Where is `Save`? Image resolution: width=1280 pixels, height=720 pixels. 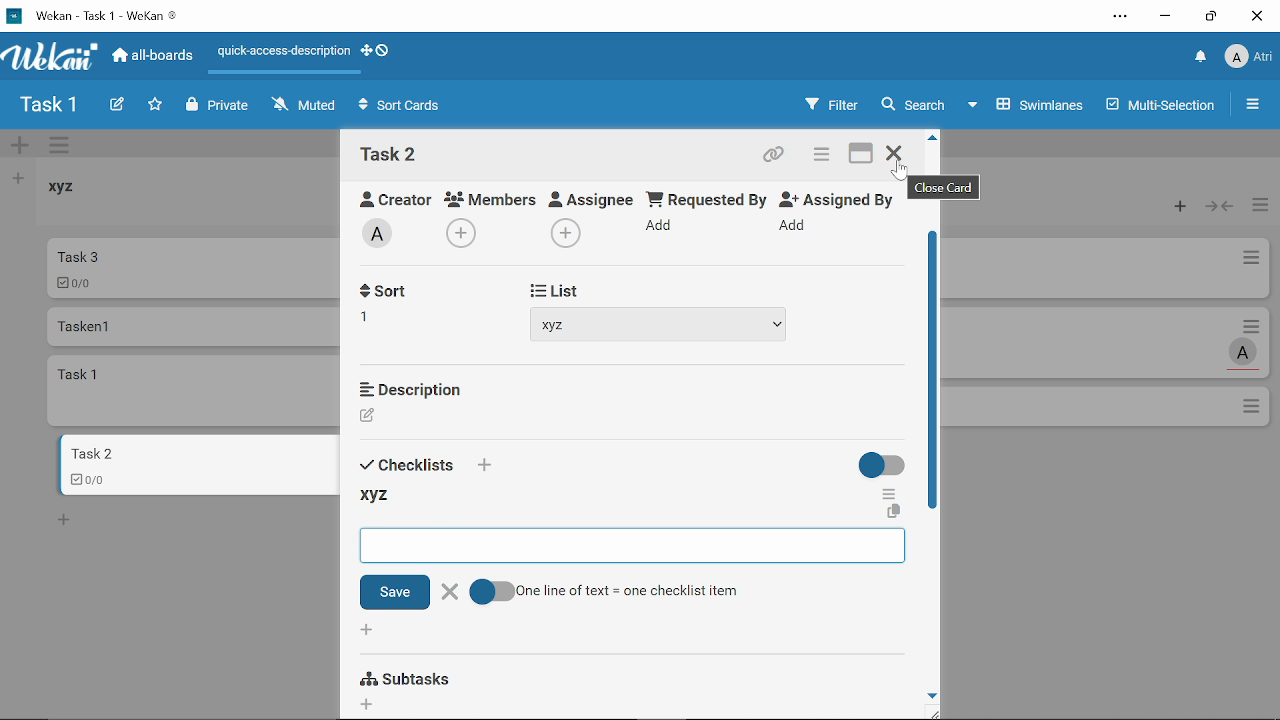
Save is located at coordinates (391, 593).